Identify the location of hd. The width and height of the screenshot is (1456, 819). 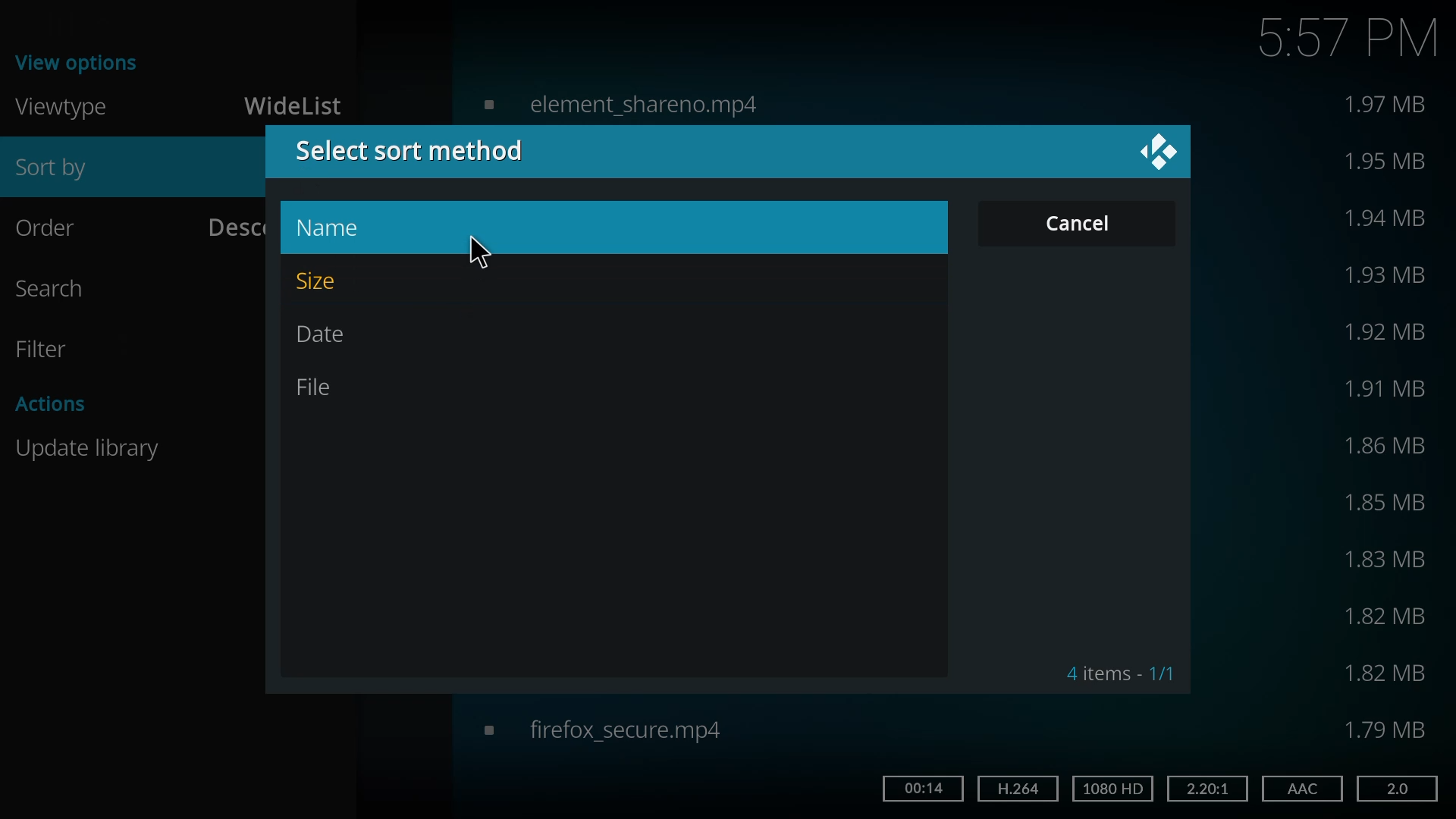
(1115, 789).